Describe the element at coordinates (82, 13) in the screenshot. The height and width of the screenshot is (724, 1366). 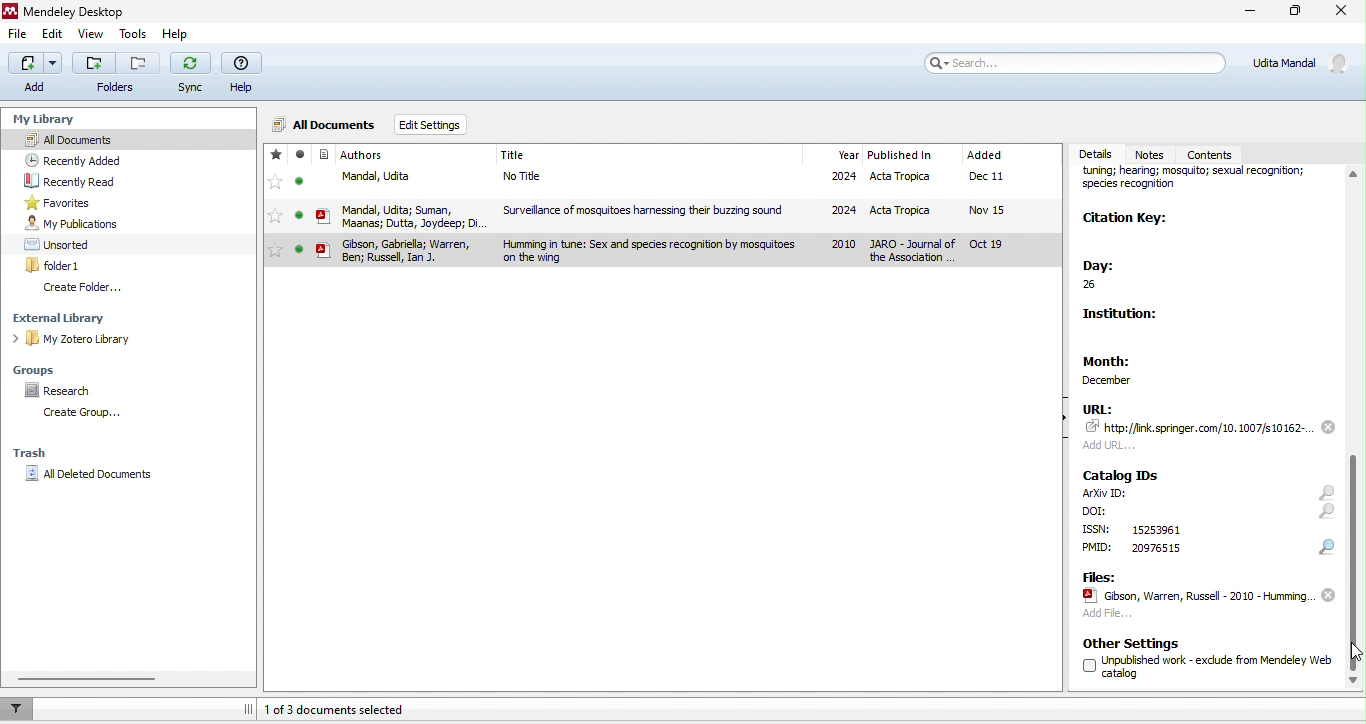
I see `Mendeley Desktop` at that location.